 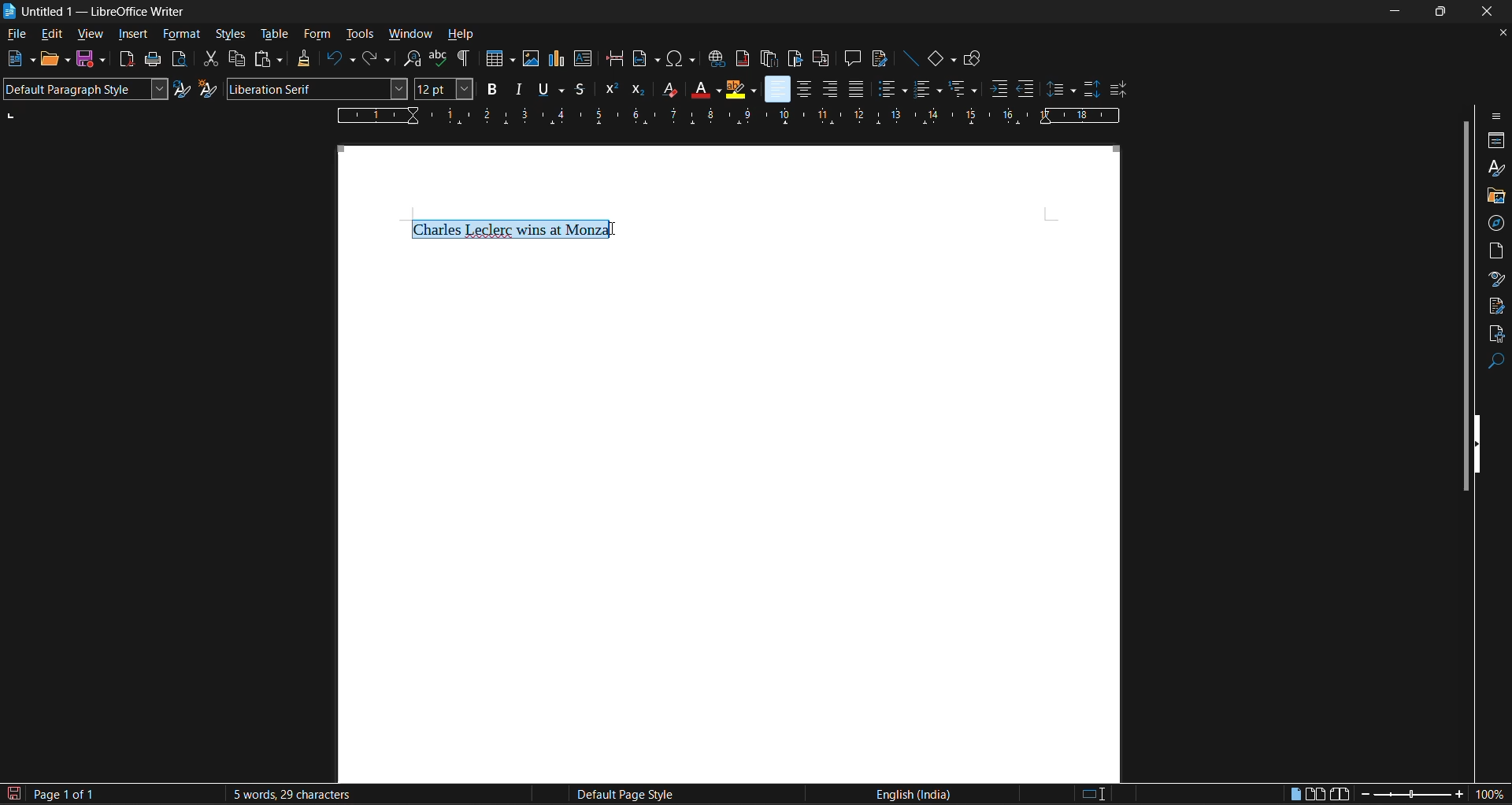 I want to click on book view, so click(x=1340, y=796).